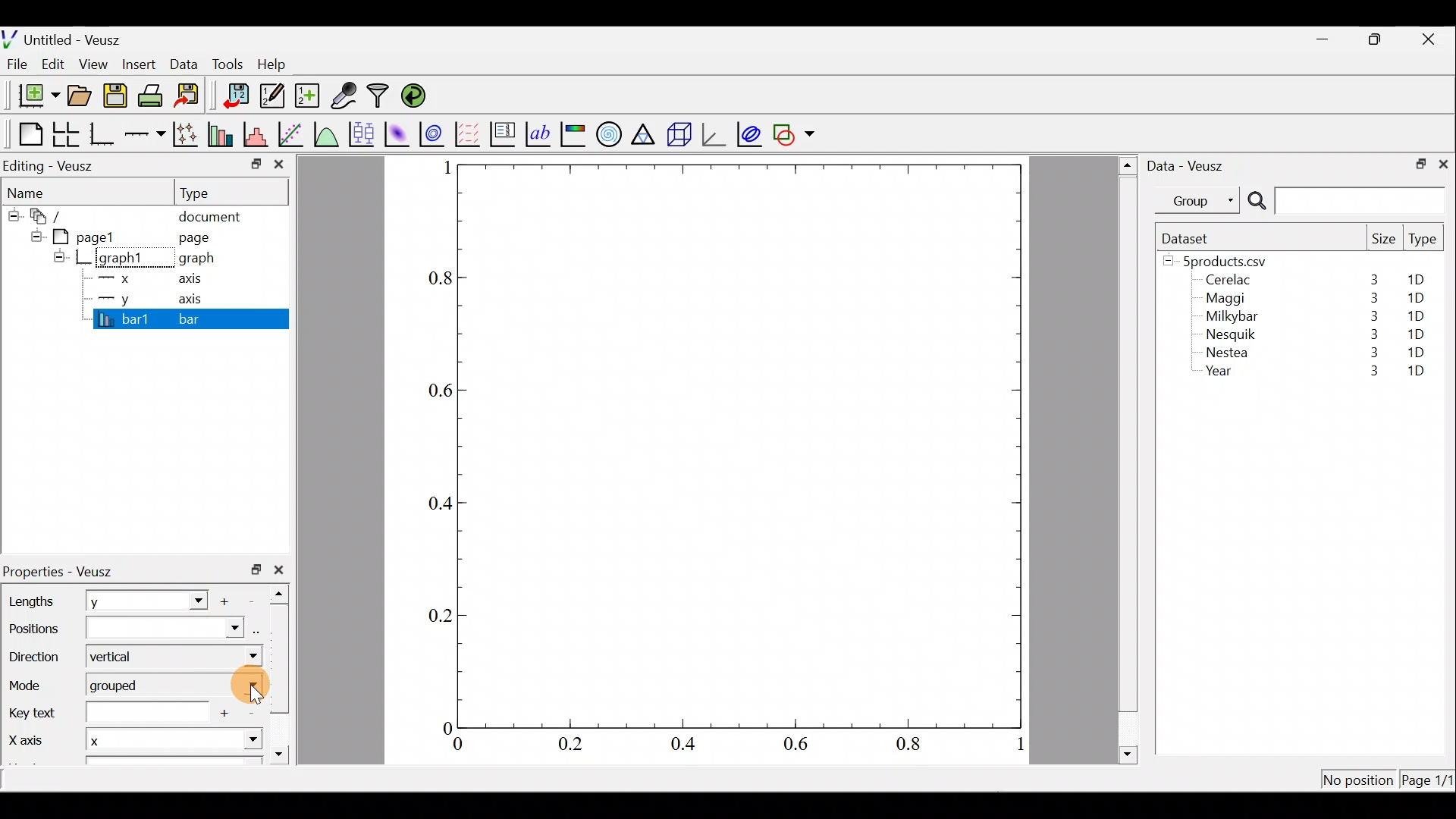 The height and width of the screenshot is (819, 1456). I want to click on Direction, so click(38, 659).